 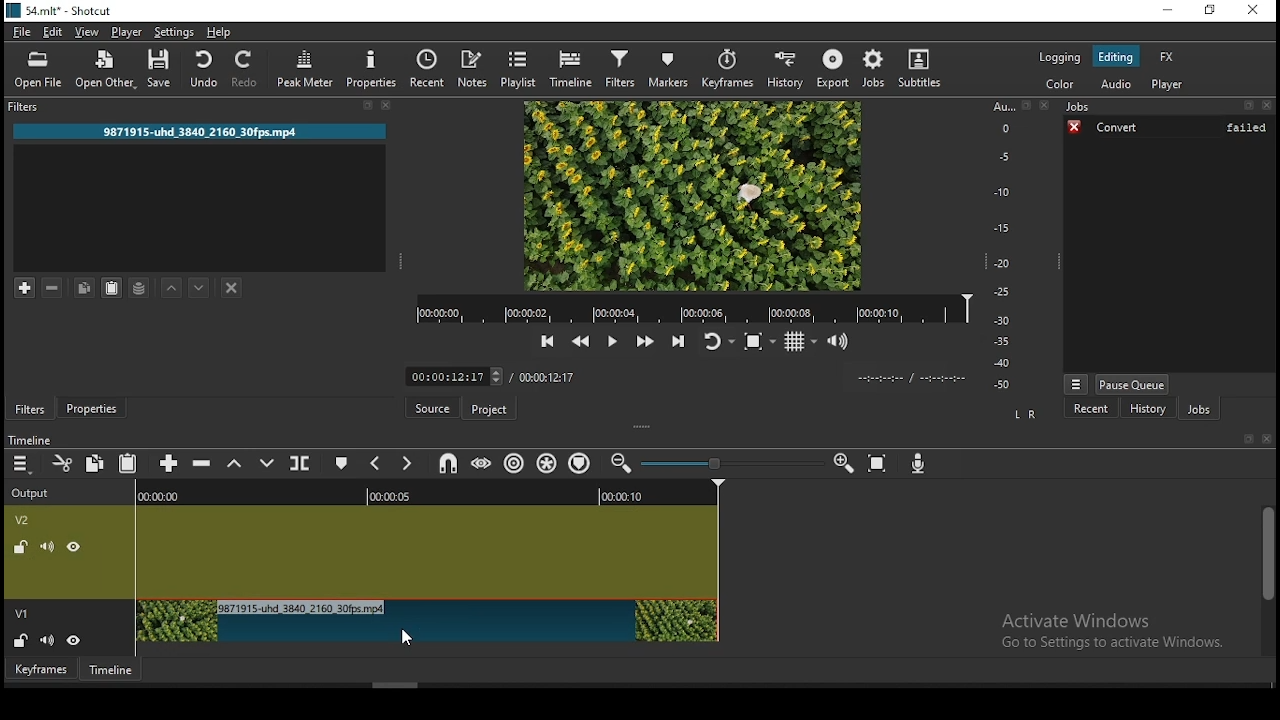 What do you see at coordinates (1243, 438) in the screenshot?
I see `bookmark` at bounding box center [1243, 438].